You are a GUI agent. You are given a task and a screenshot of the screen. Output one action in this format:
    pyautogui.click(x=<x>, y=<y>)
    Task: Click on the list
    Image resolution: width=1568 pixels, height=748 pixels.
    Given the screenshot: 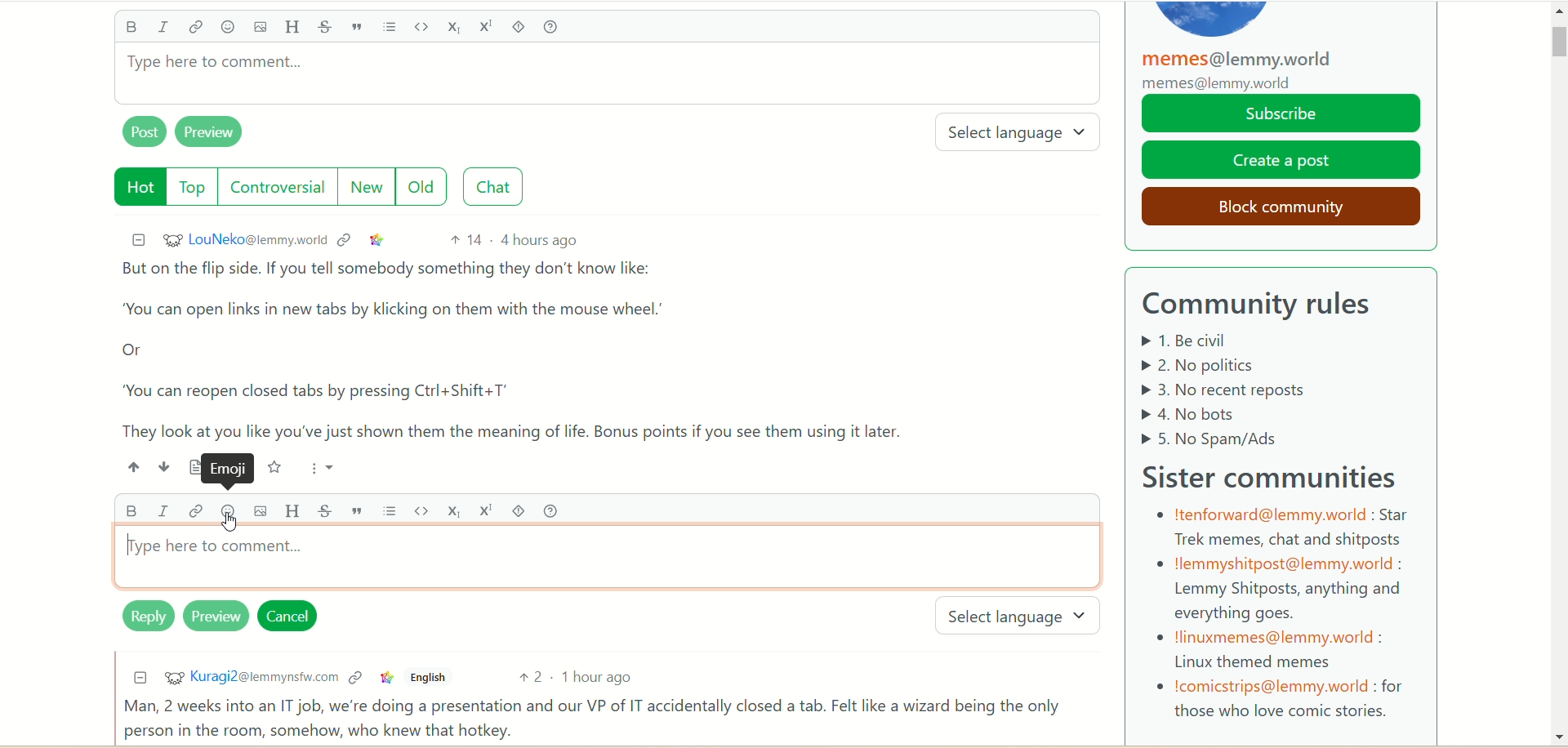 What is the action you would take?
    pyautogui.click(x=393, y=28)
    